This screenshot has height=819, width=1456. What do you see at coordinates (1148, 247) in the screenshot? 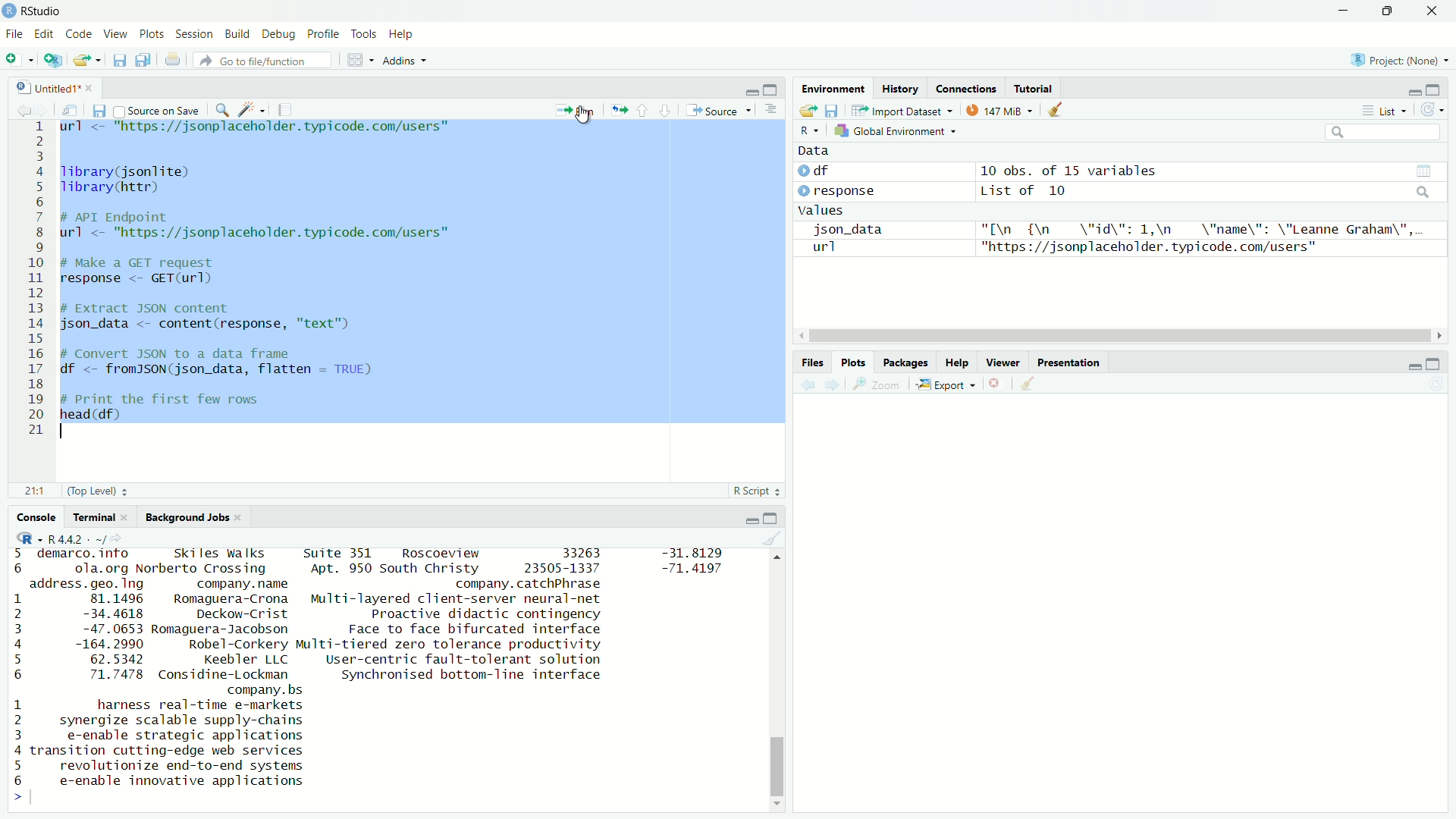
I see `"https://jsonplaceholder. typicode.com/users"` at bounding box center [1148, 247].